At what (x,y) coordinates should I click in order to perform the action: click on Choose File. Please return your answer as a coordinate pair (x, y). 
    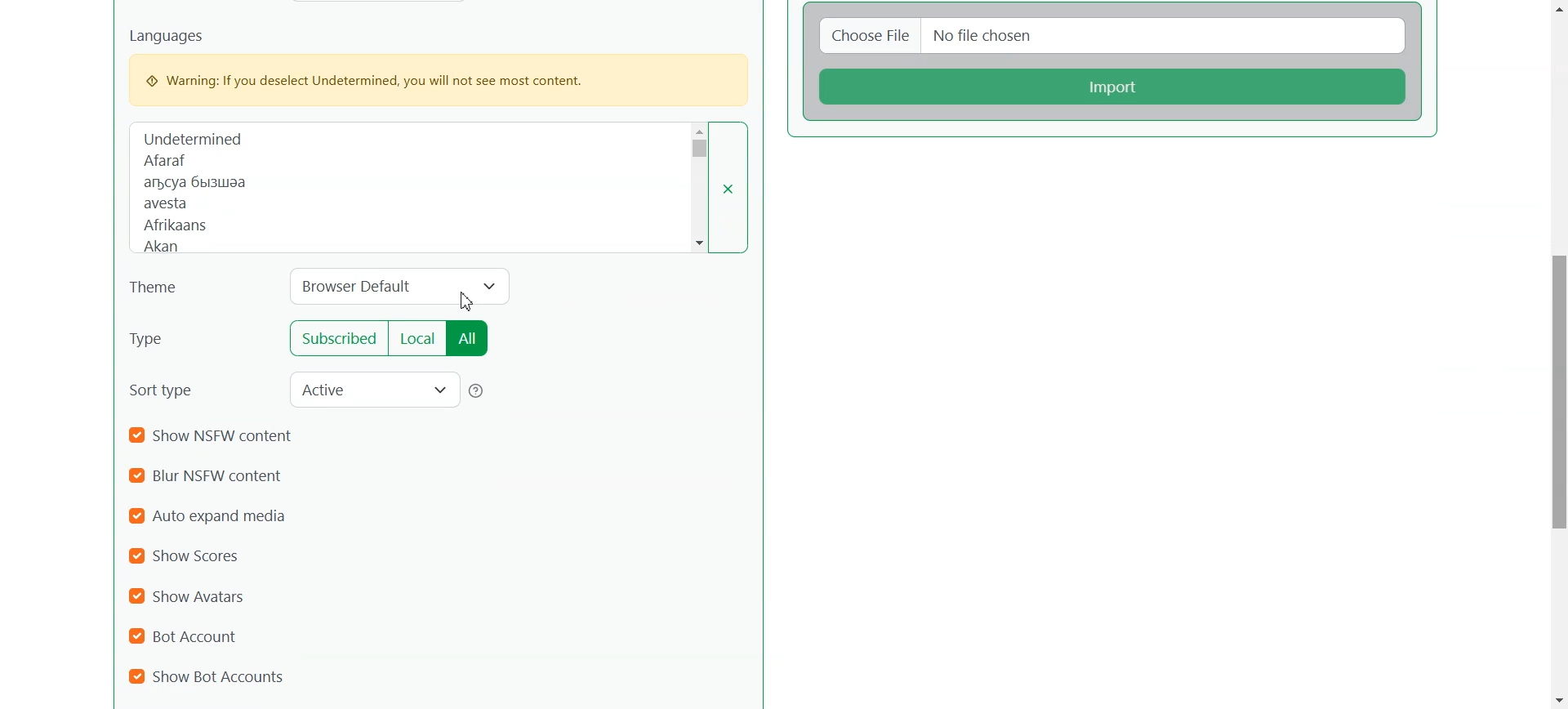
    Looking at the image, I should click on (866, 35).